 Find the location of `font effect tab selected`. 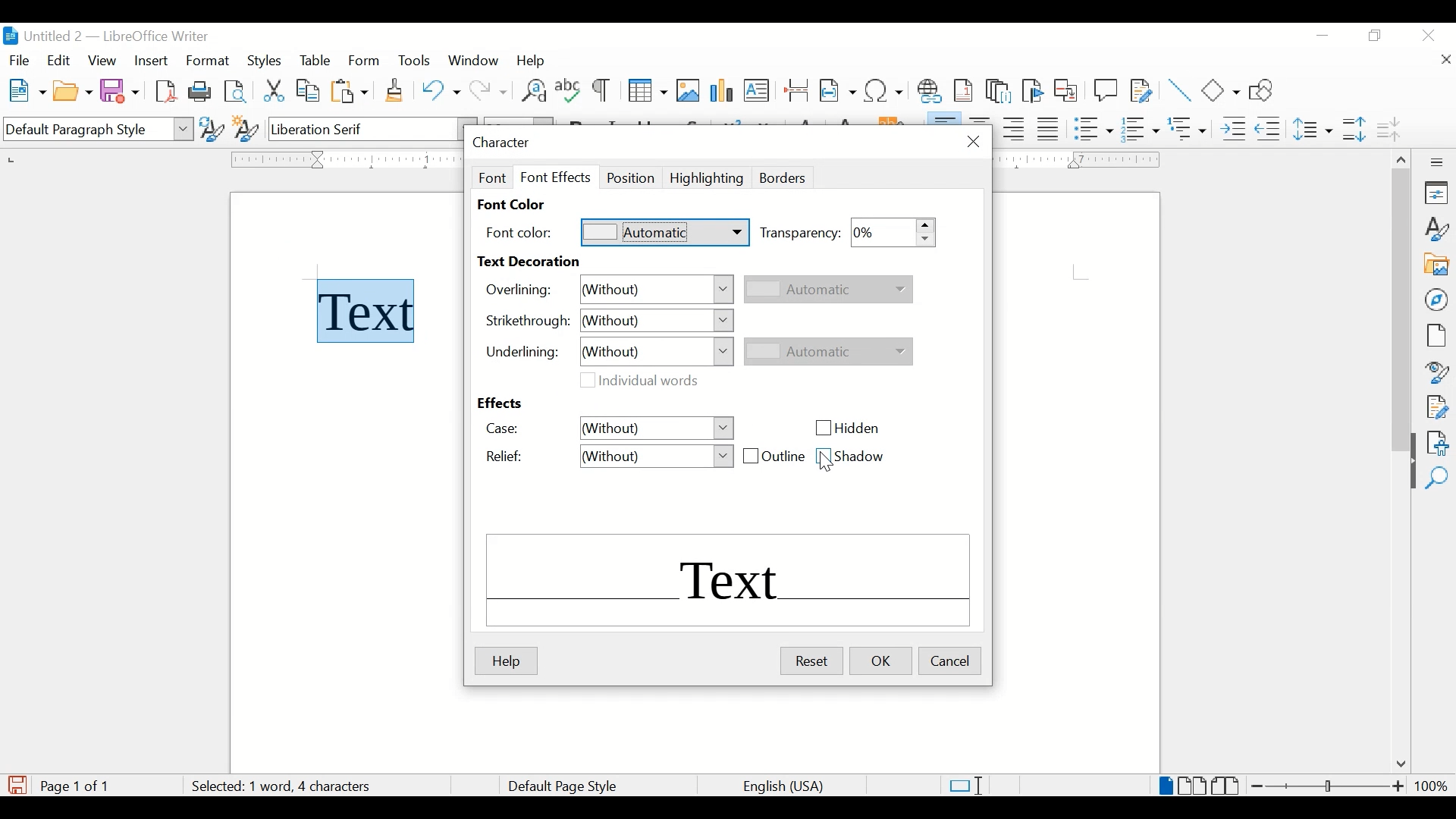

font effect tab selected is located at coordinates (555, 177).